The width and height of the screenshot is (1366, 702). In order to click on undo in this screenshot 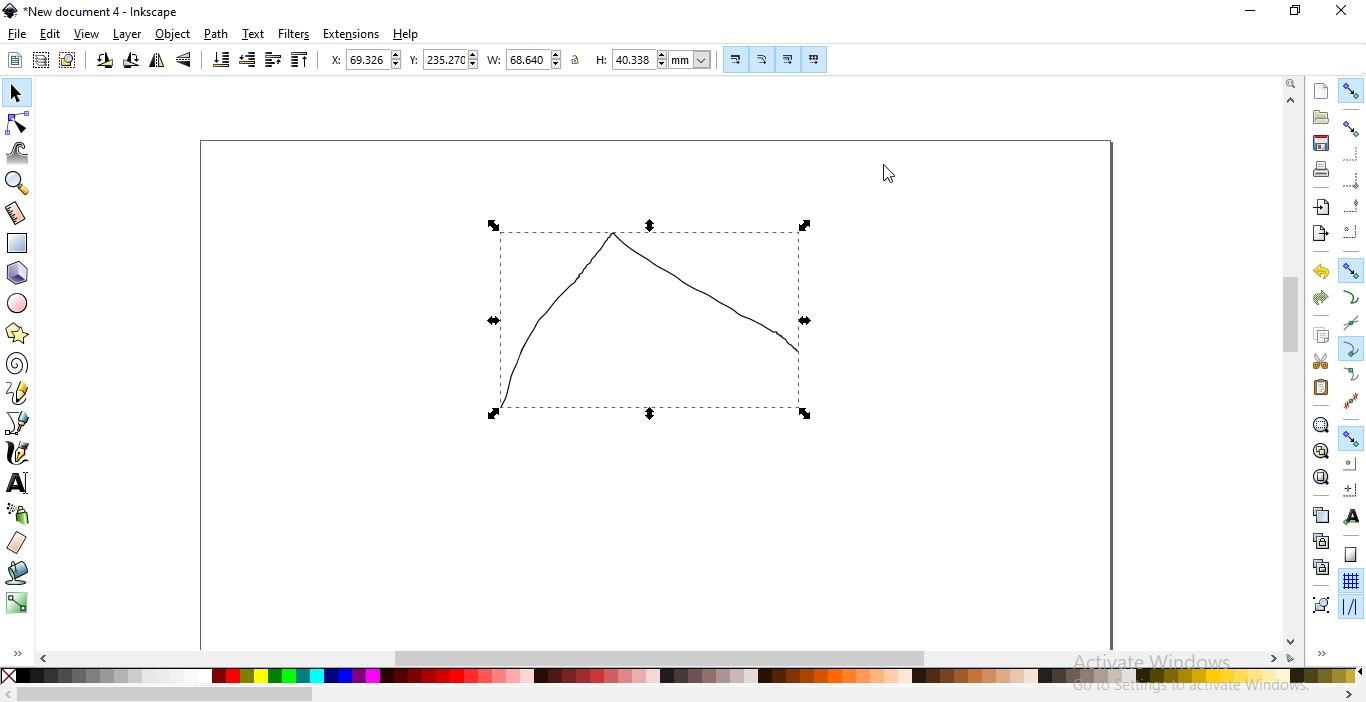, I will do `click(1320, 270)`.